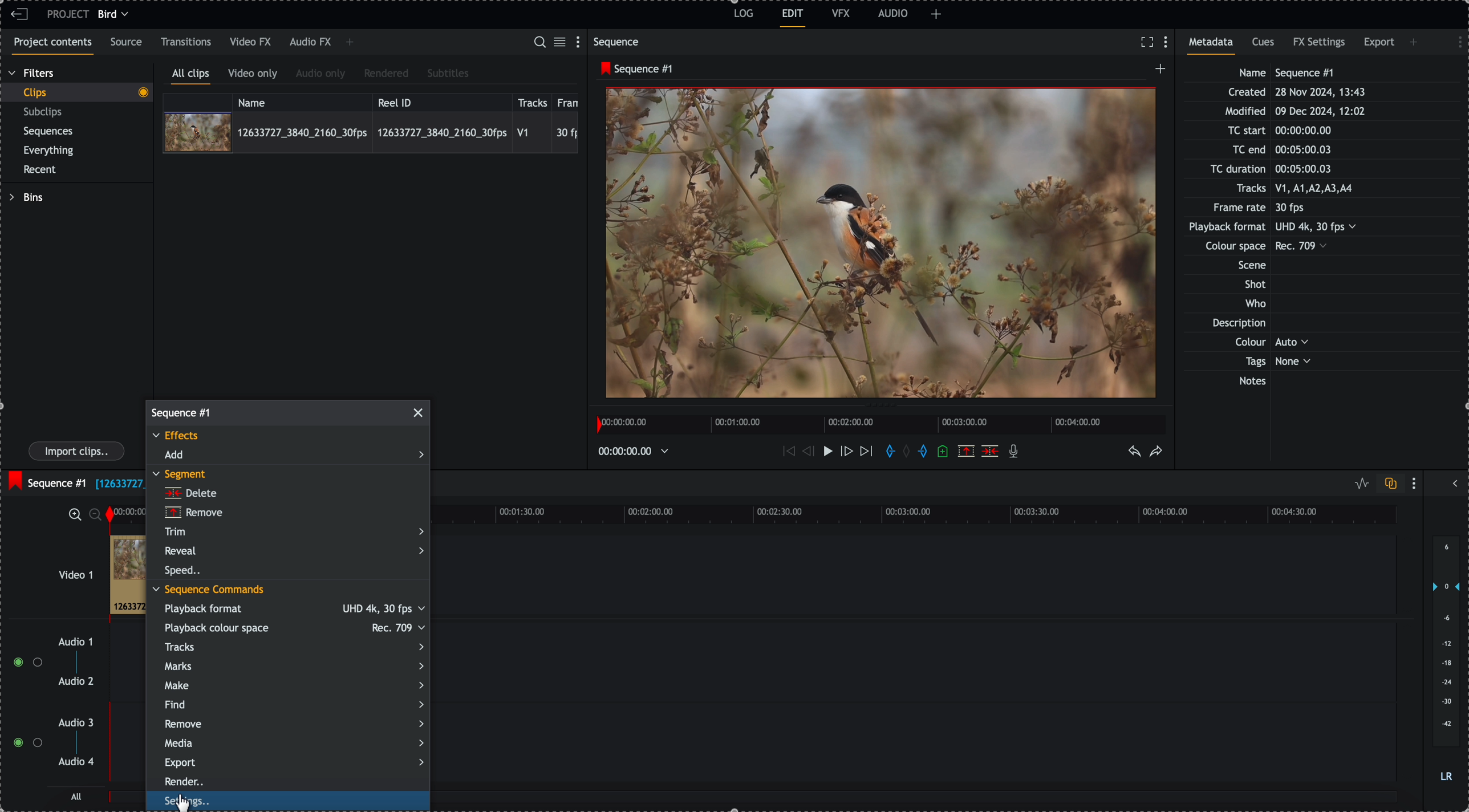 Image resolution: width=1469 pixels, height=812 pixels. I want to click on reveal, so click(294, 550).